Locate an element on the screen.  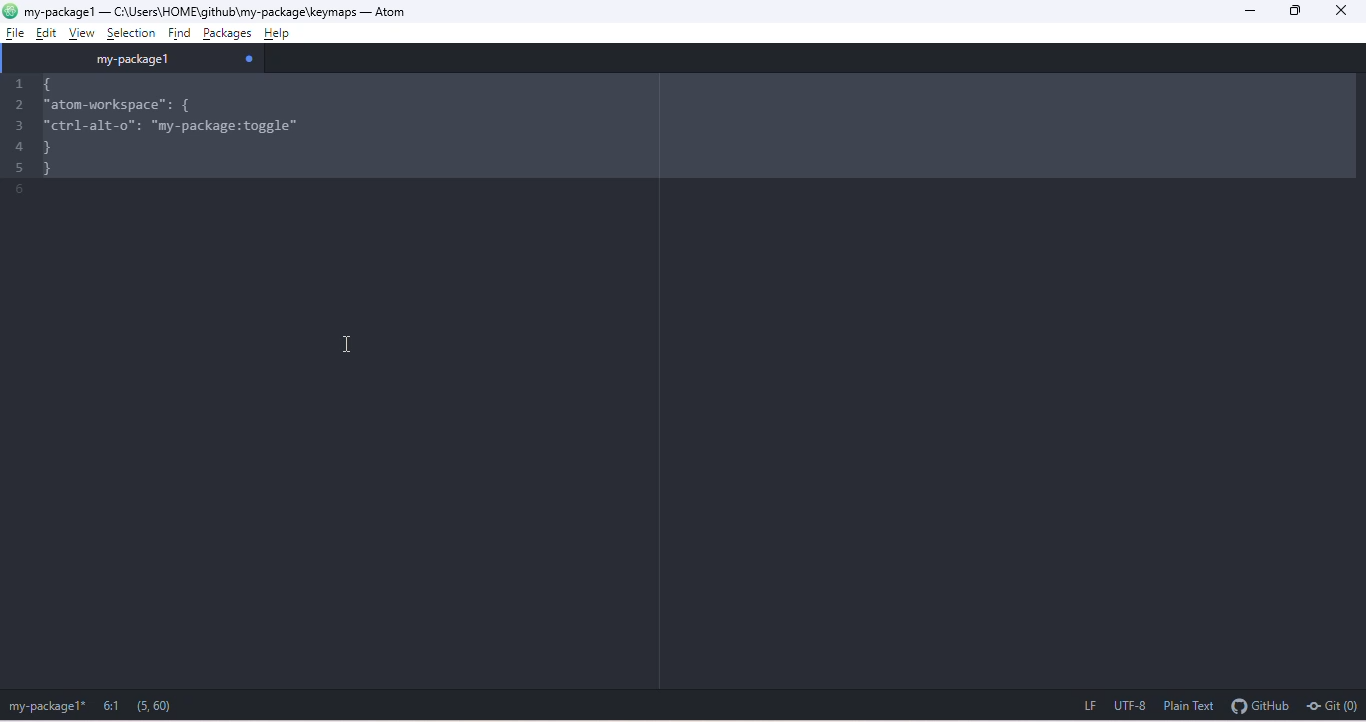
6:1 is located at coordinates (110, 706).